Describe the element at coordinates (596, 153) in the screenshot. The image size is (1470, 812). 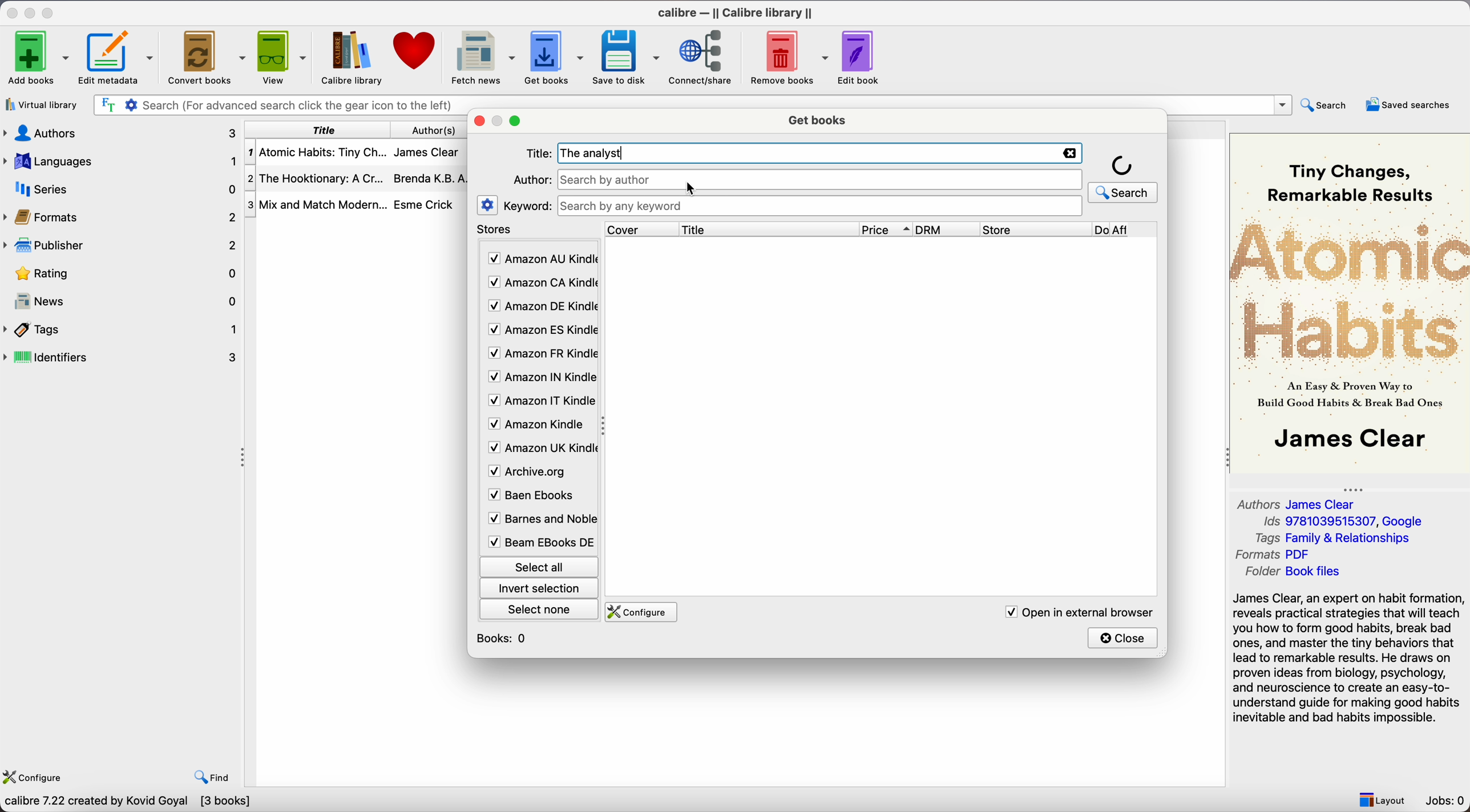
I see `The analyst` at that location.